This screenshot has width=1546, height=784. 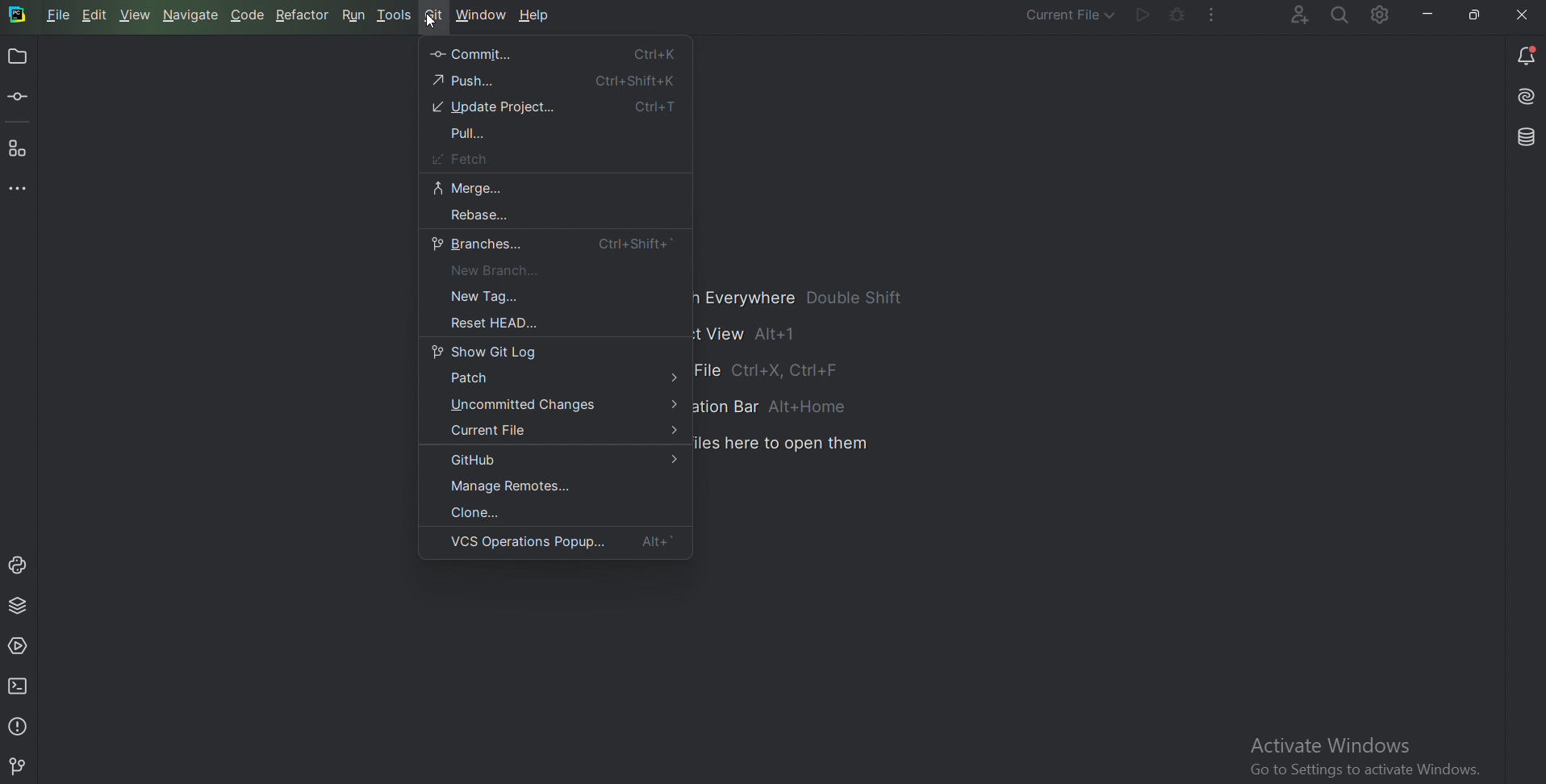 What do you see at coordinates (488, 352) in the screenshot?
I see `show Git Log` at bounding box center [488, 352].